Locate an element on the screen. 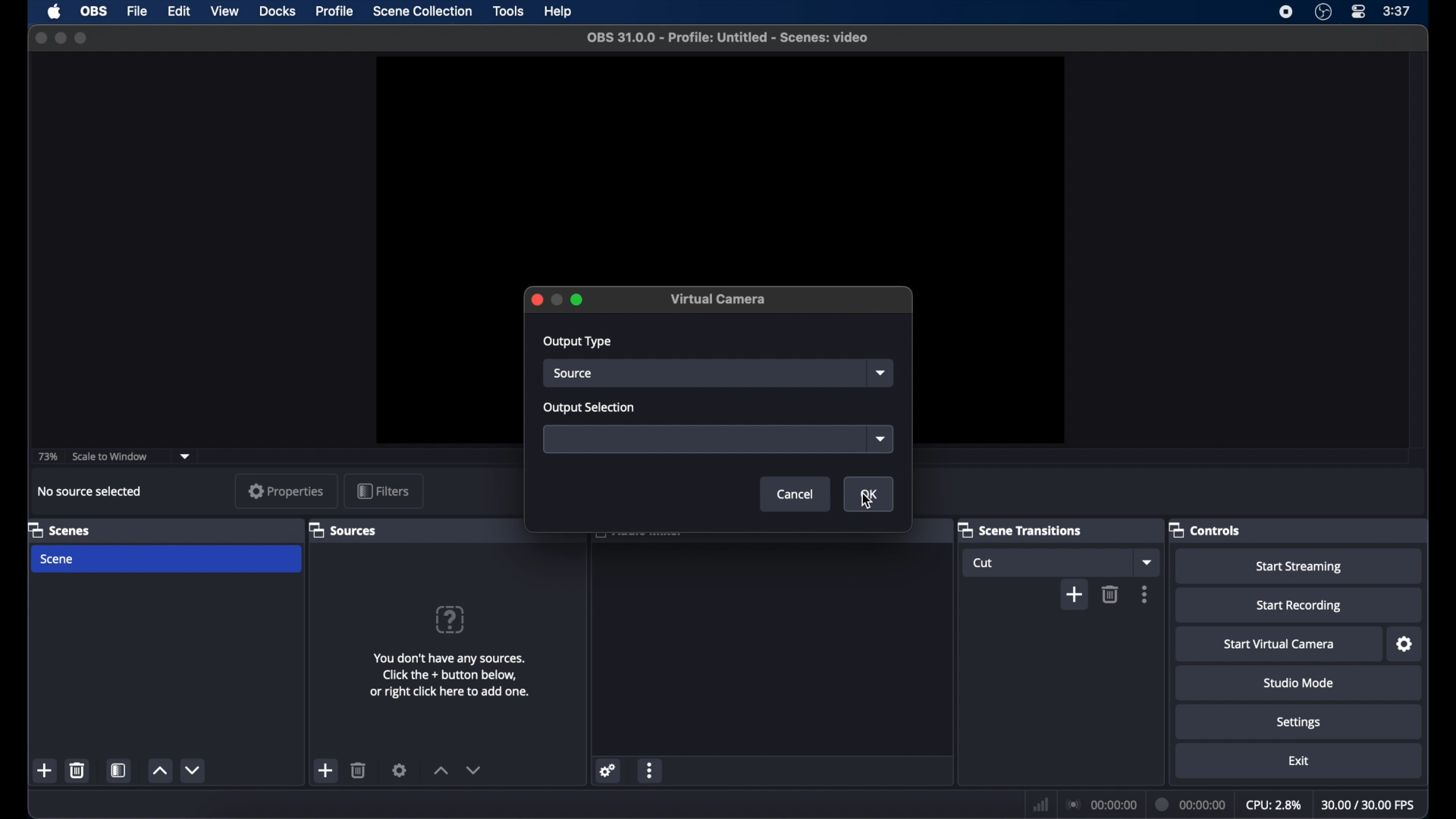 The image size is (1456, 819). time is located at coordinates (1397, 11).